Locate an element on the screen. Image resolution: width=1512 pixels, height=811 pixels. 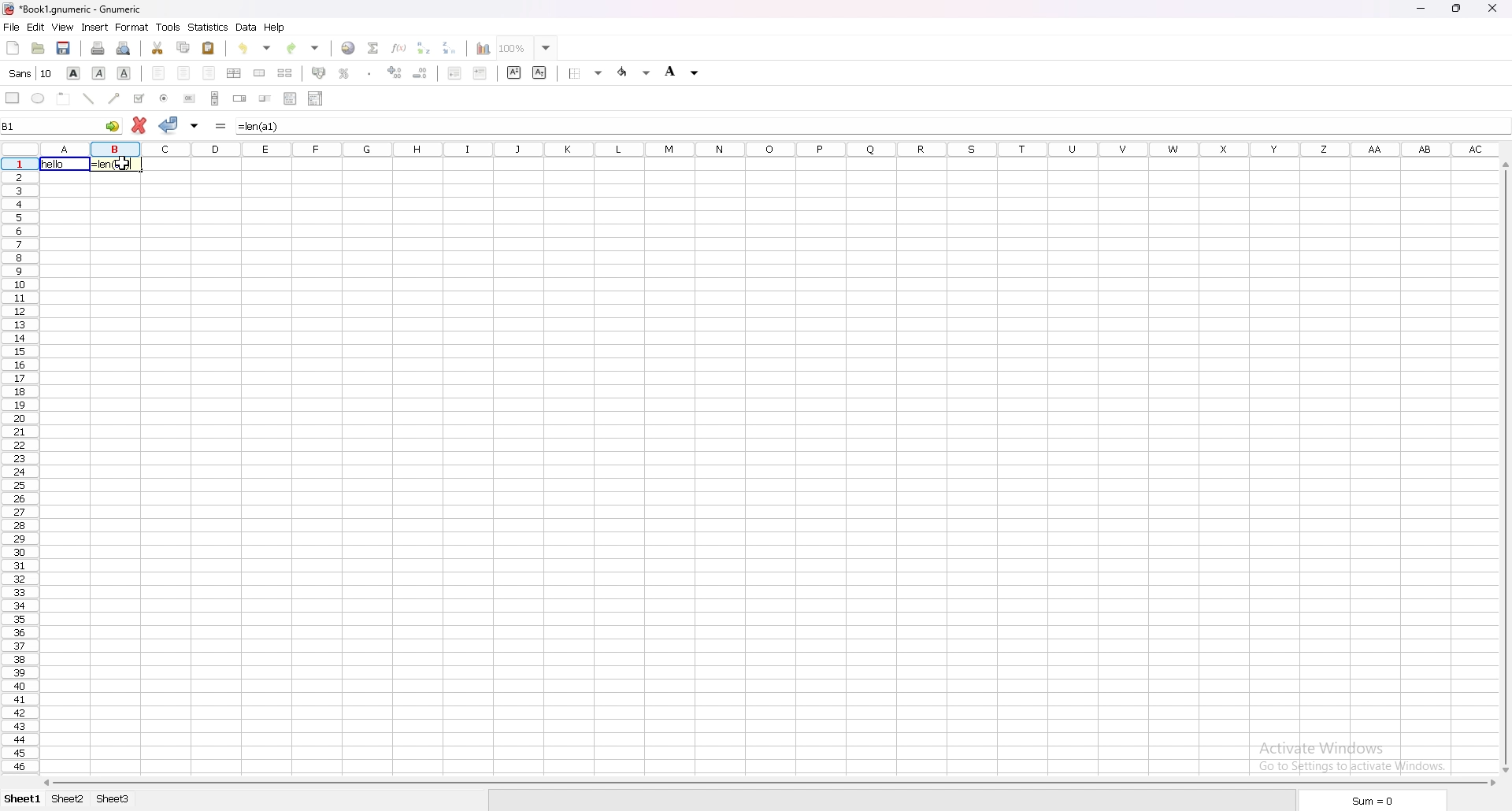
sheet is located at coordinates (22, 799).